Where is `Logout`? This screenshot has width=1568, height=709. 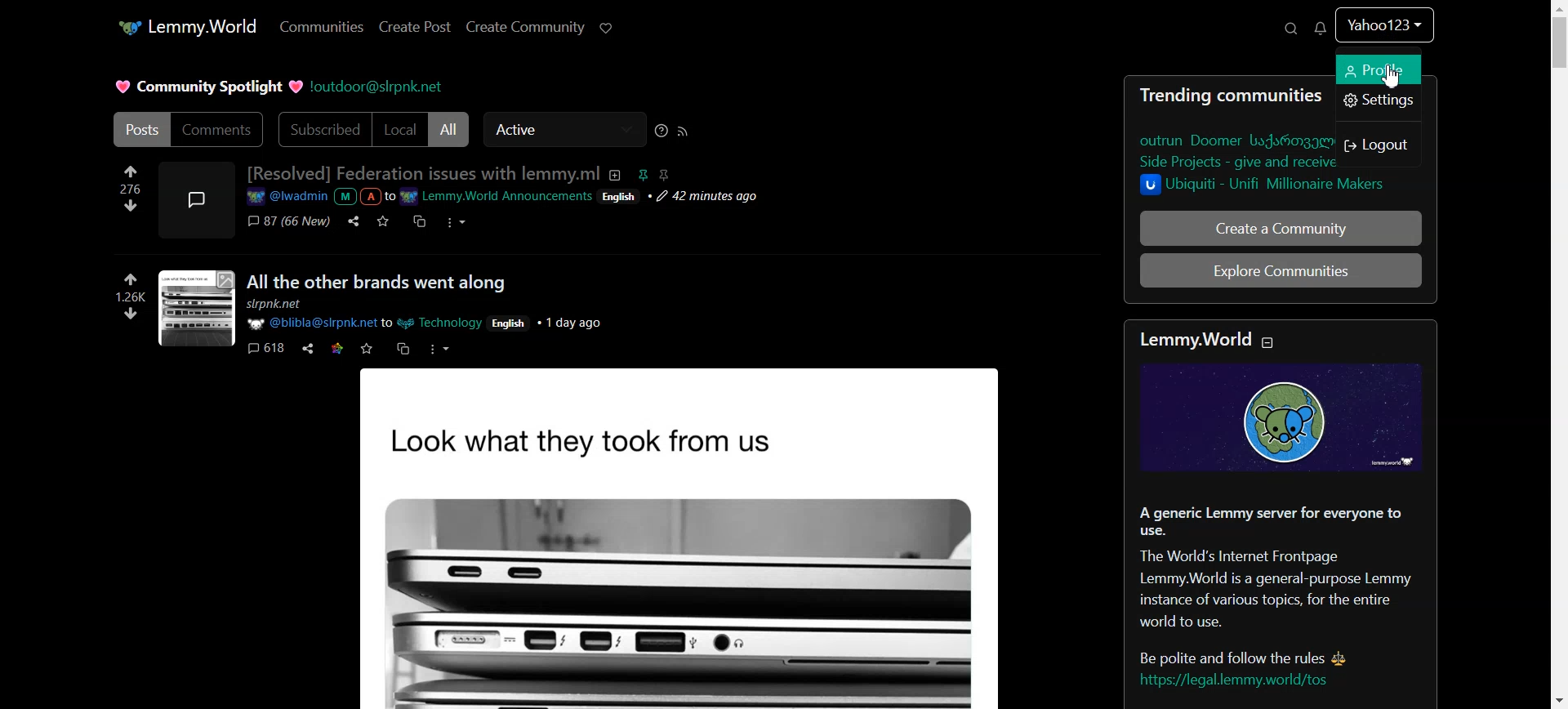
Logout is located at coordinates (1381, 144).